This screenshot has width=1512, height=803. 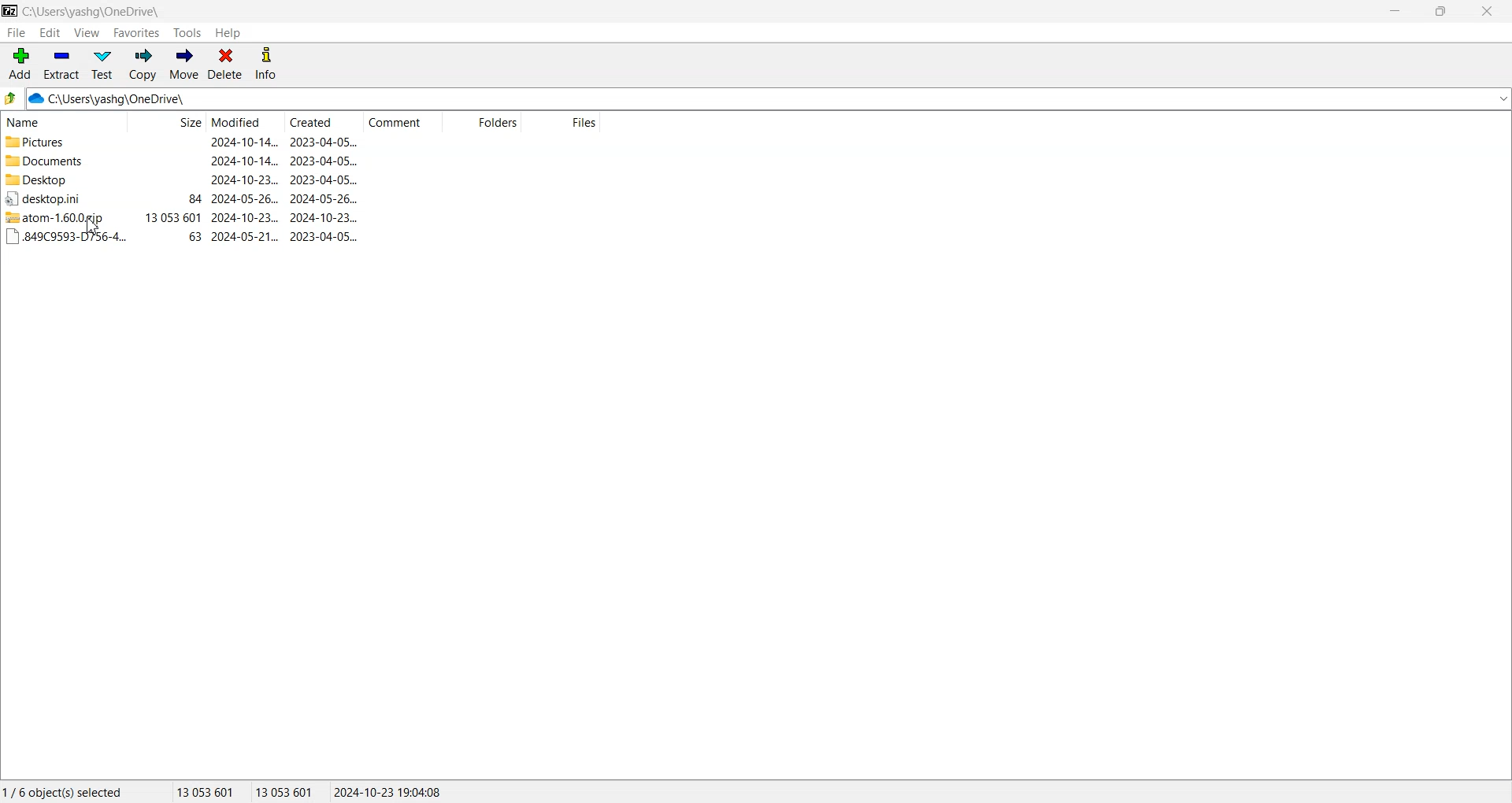 I want to click on View, so click(x=86, y=32).